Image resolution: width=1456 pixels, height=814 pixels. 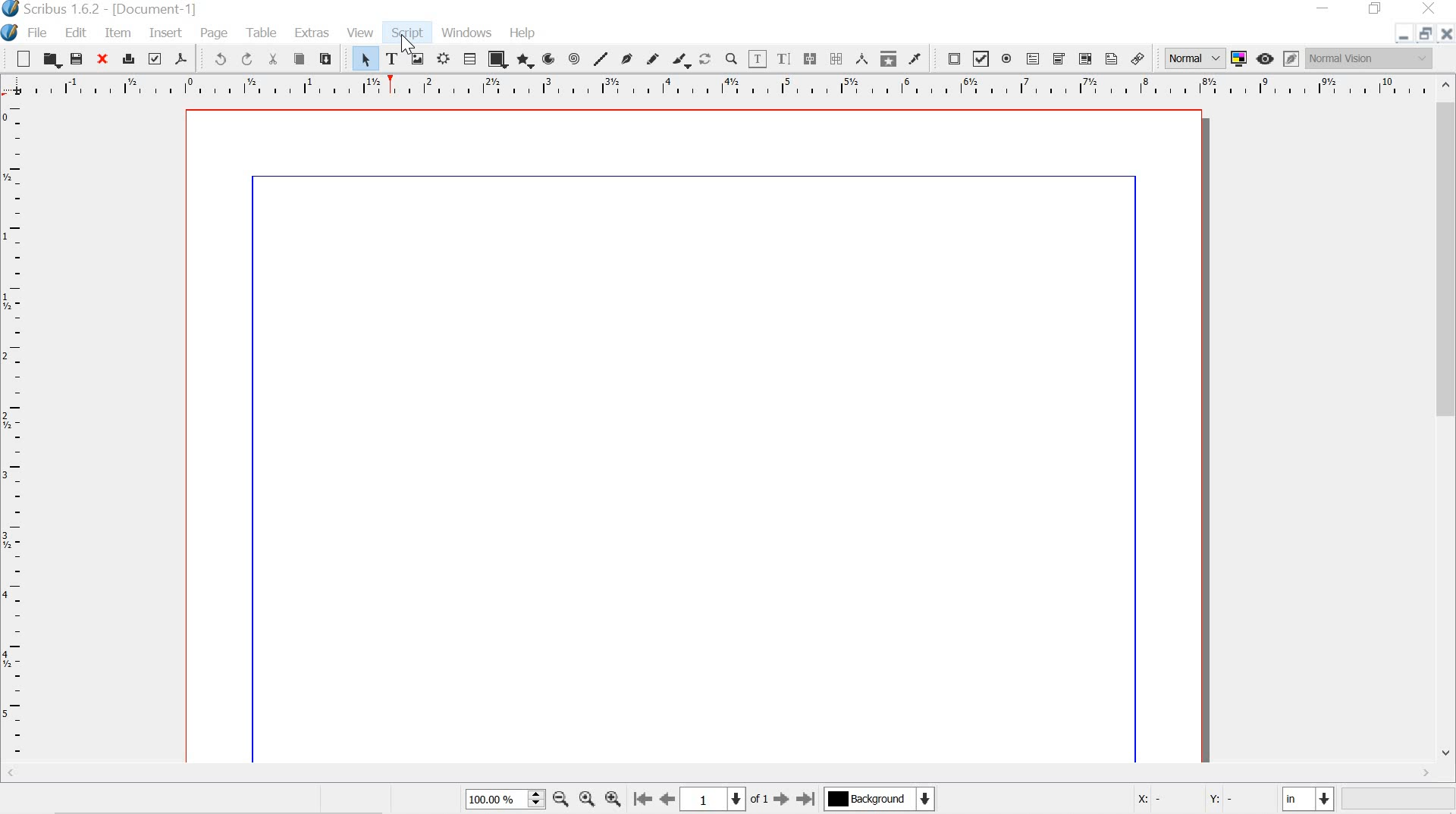 What do you see at coordinates (275, 58) in the screenshot?
I see `cut` at bounding box center [275, 58].